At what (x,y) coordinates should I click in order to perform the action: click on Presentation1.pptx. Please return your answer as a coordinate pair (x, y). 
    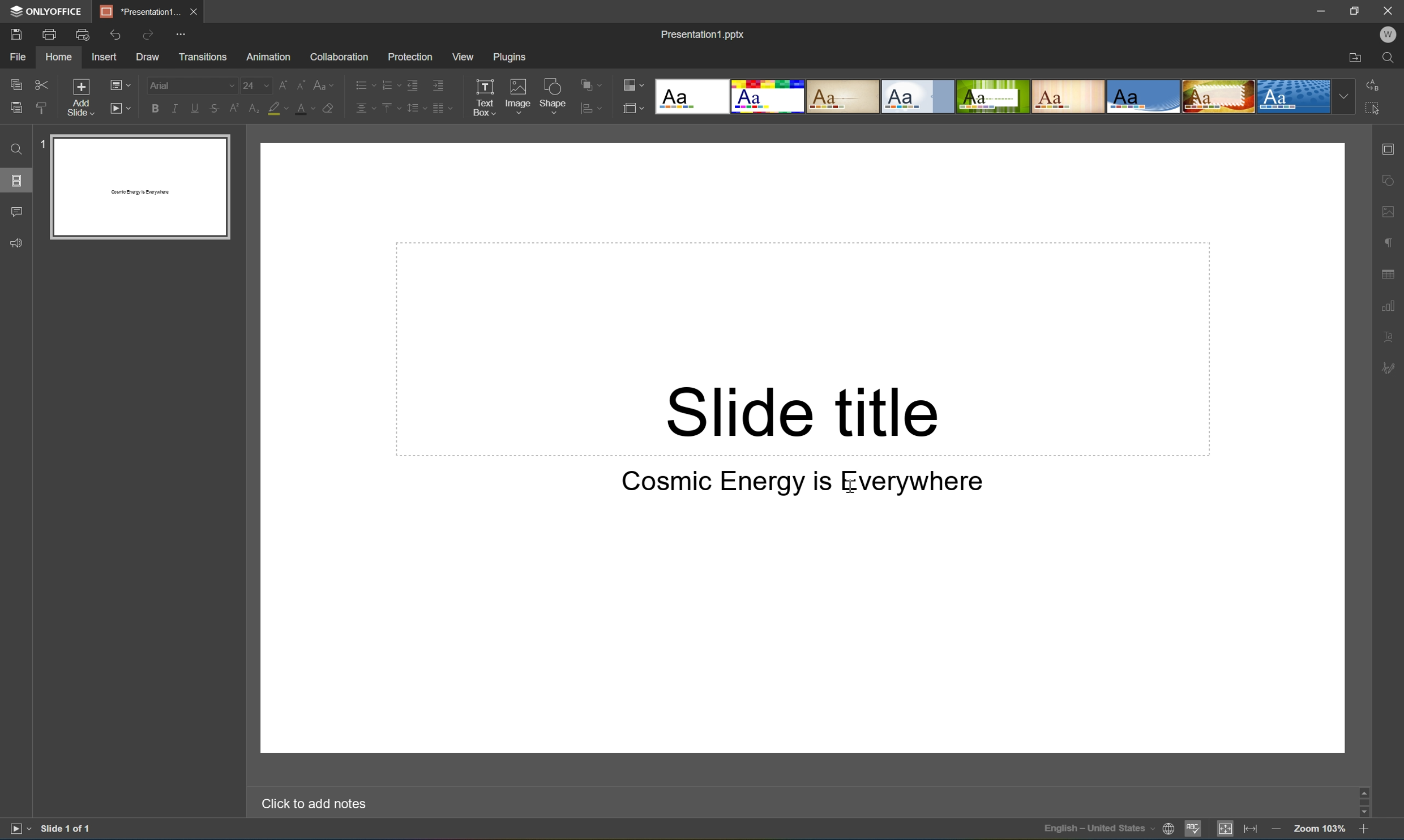
    Looking at the image, I should click on (705, 33).